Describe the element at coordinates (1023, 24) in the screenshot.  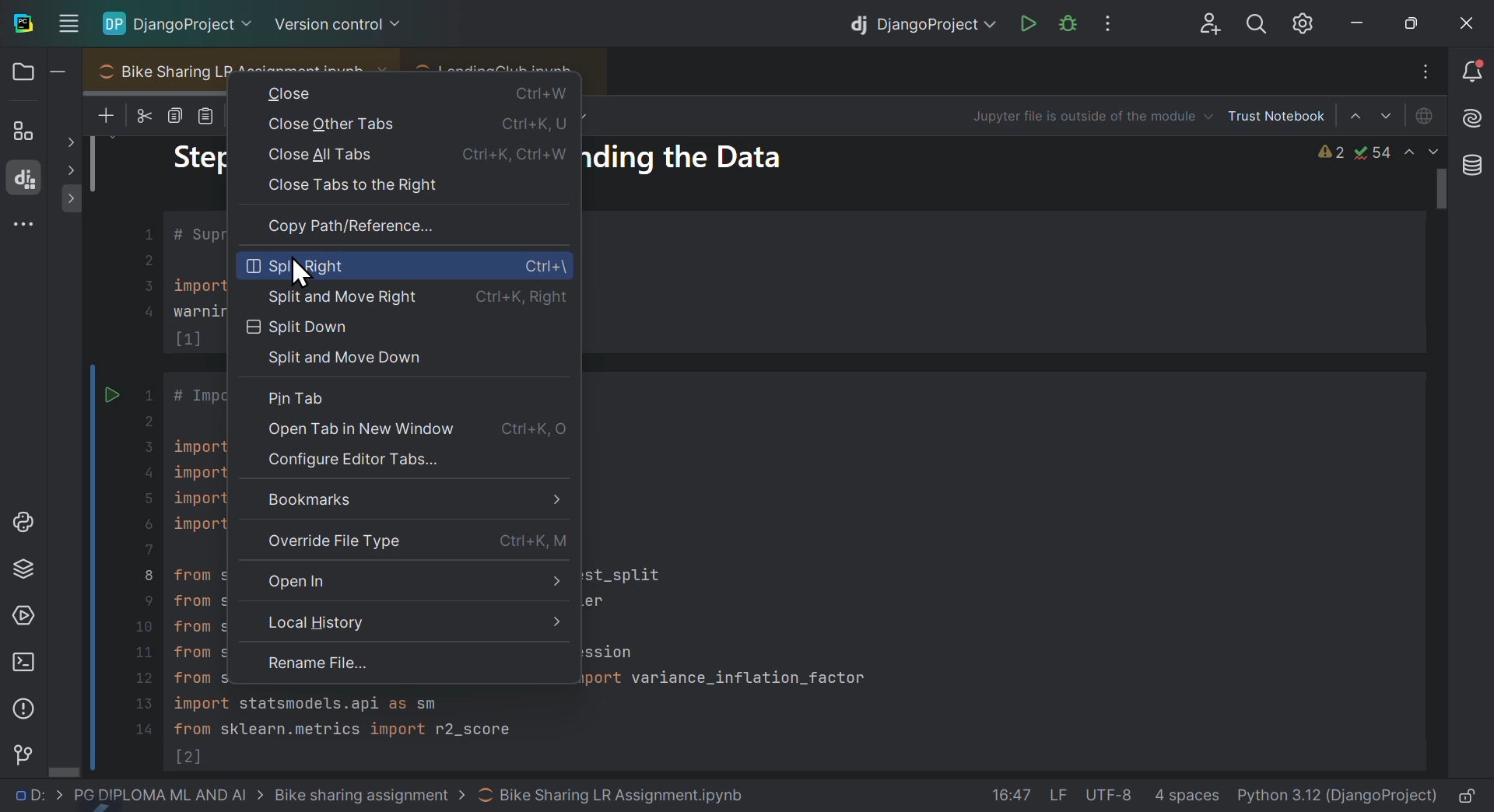
I see `run Django project` at that location.